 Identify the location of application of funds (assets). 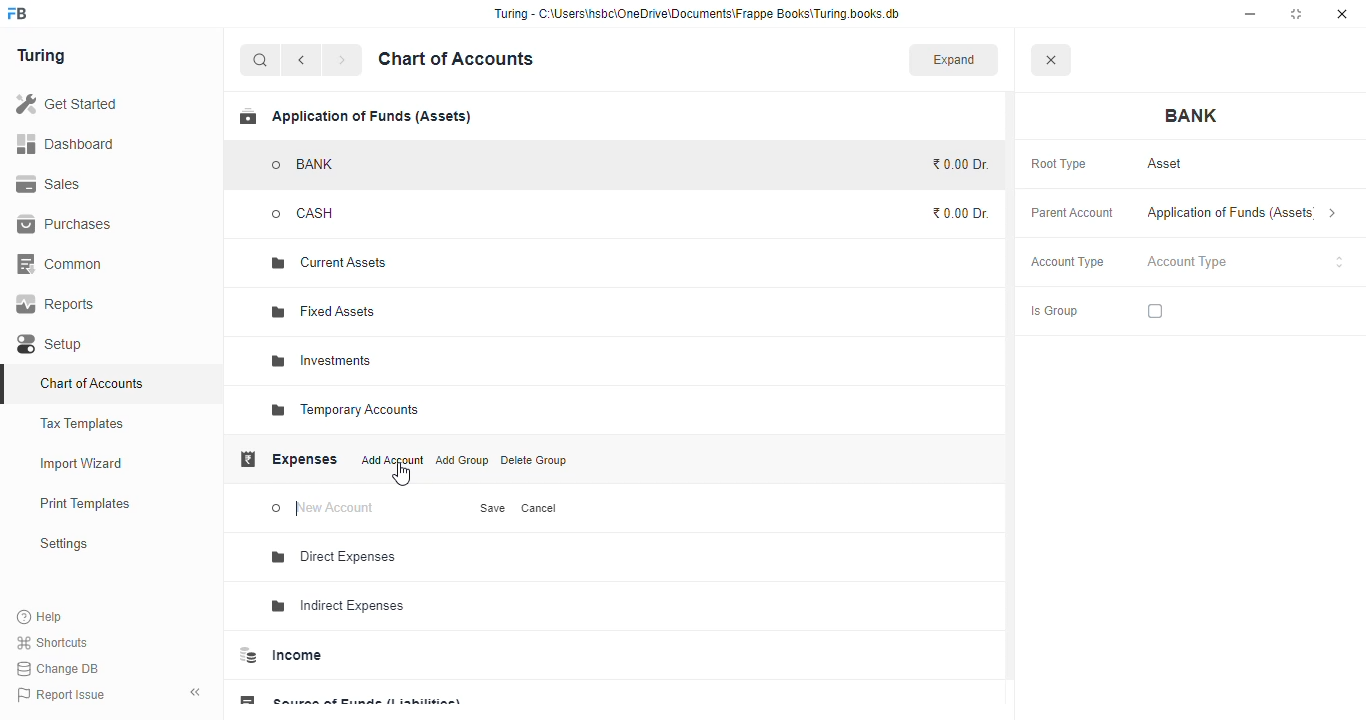
(355, 116).